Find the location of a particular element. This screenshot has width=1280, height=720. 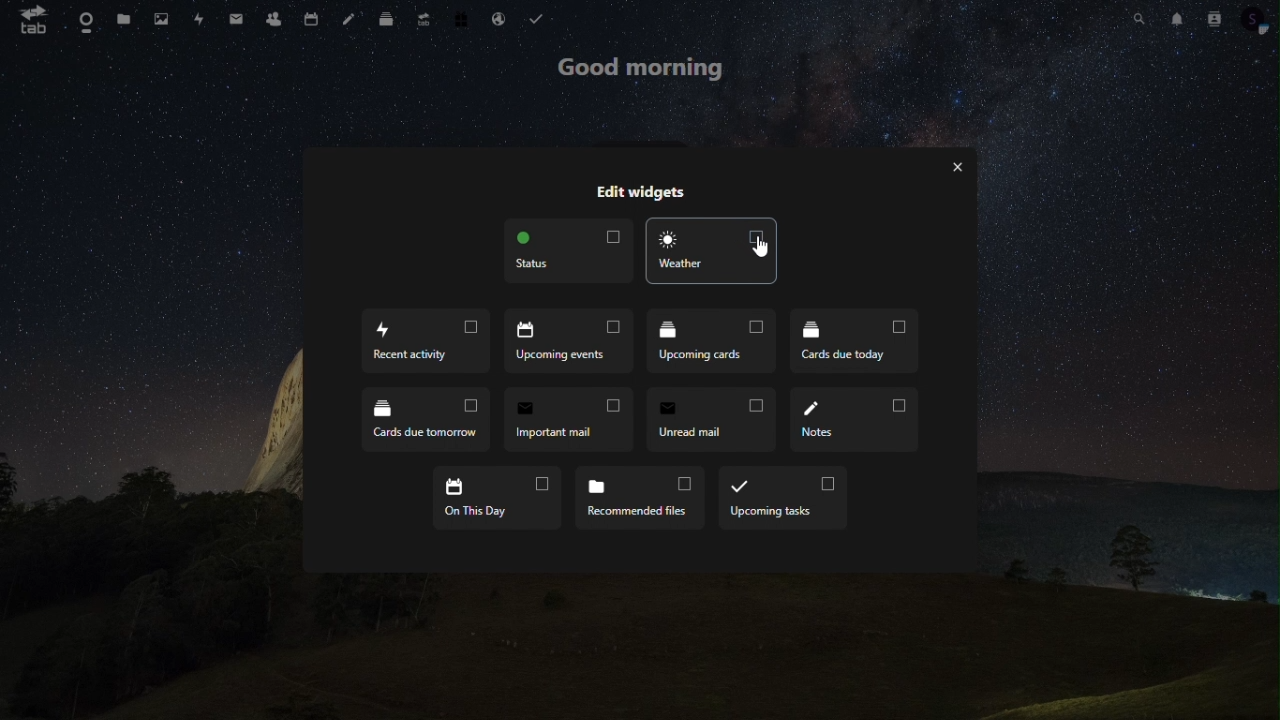

note is located at coordinates (350, 20).